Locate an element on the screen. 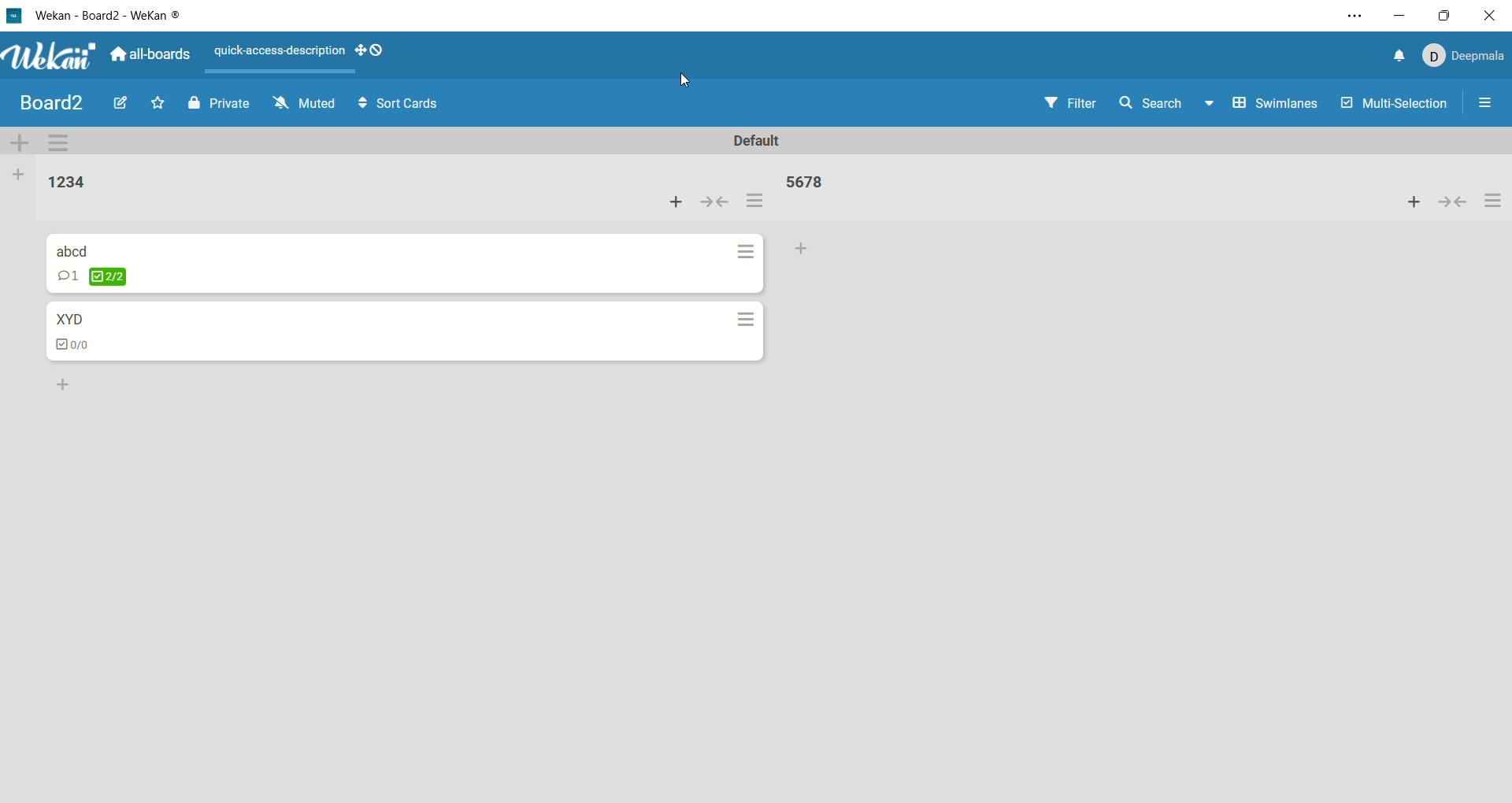 The height and width of the screenshot is (803, 1512). add card is located at coordinates (809, 247).